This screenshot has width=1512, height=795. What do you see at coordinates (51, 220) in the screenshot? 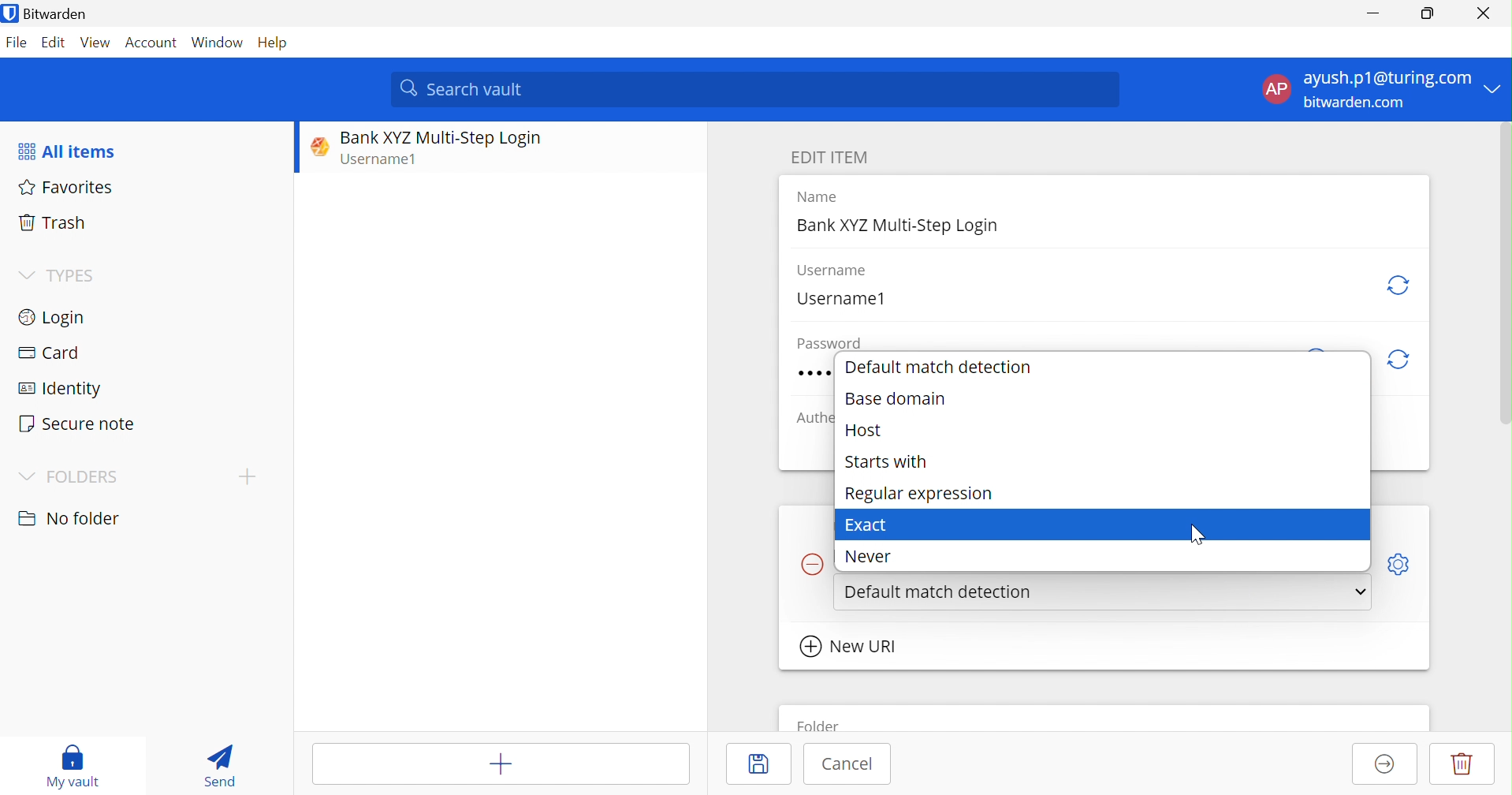
I see `Trash` at bounding box center [51, 220].